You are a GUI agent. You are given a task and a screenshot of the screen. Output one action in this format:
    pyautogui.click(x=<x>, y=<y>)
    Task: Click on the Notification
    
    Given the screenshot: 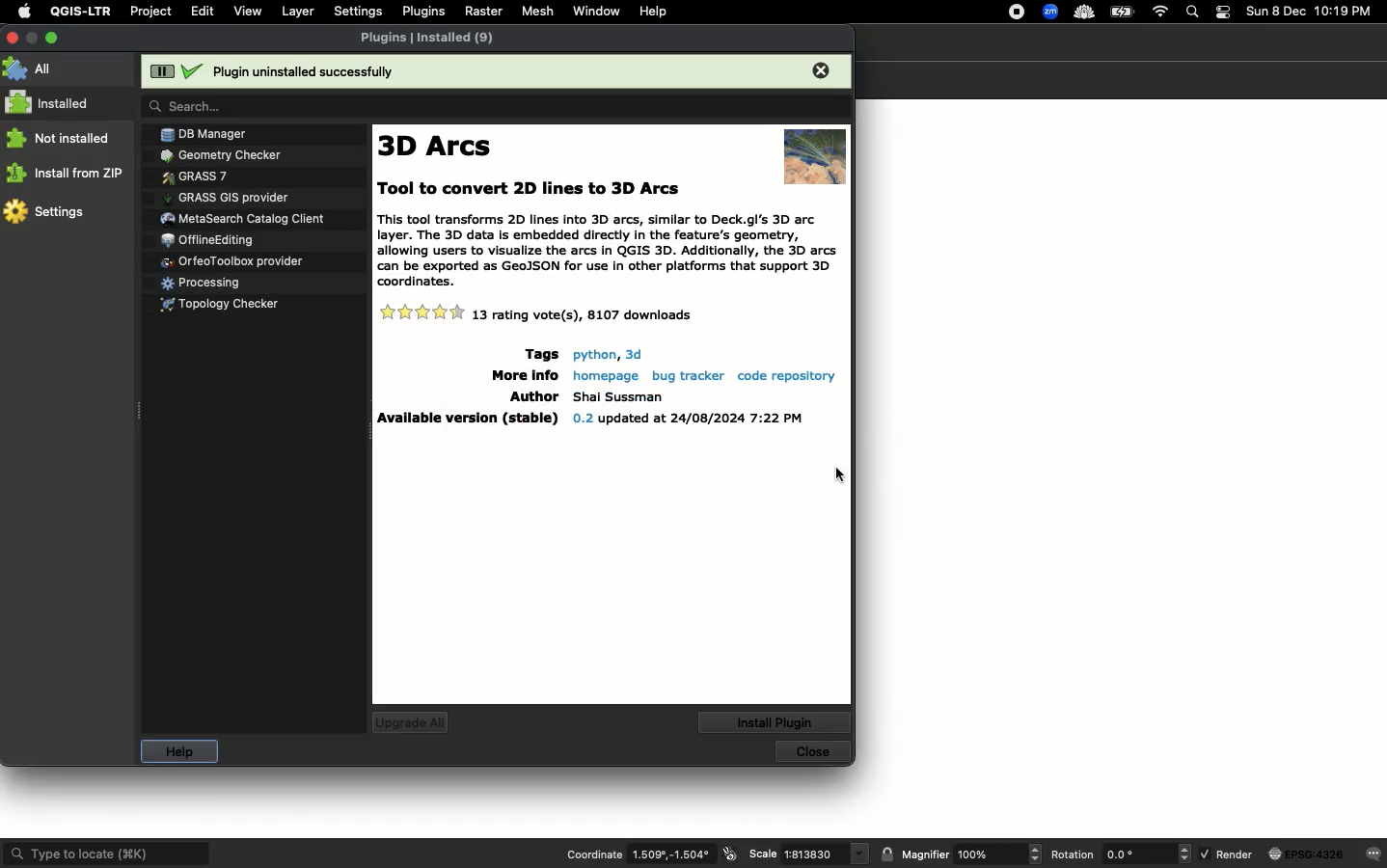 What is the action you would take?
    pyautogui.click(x=1226, y=13)
    